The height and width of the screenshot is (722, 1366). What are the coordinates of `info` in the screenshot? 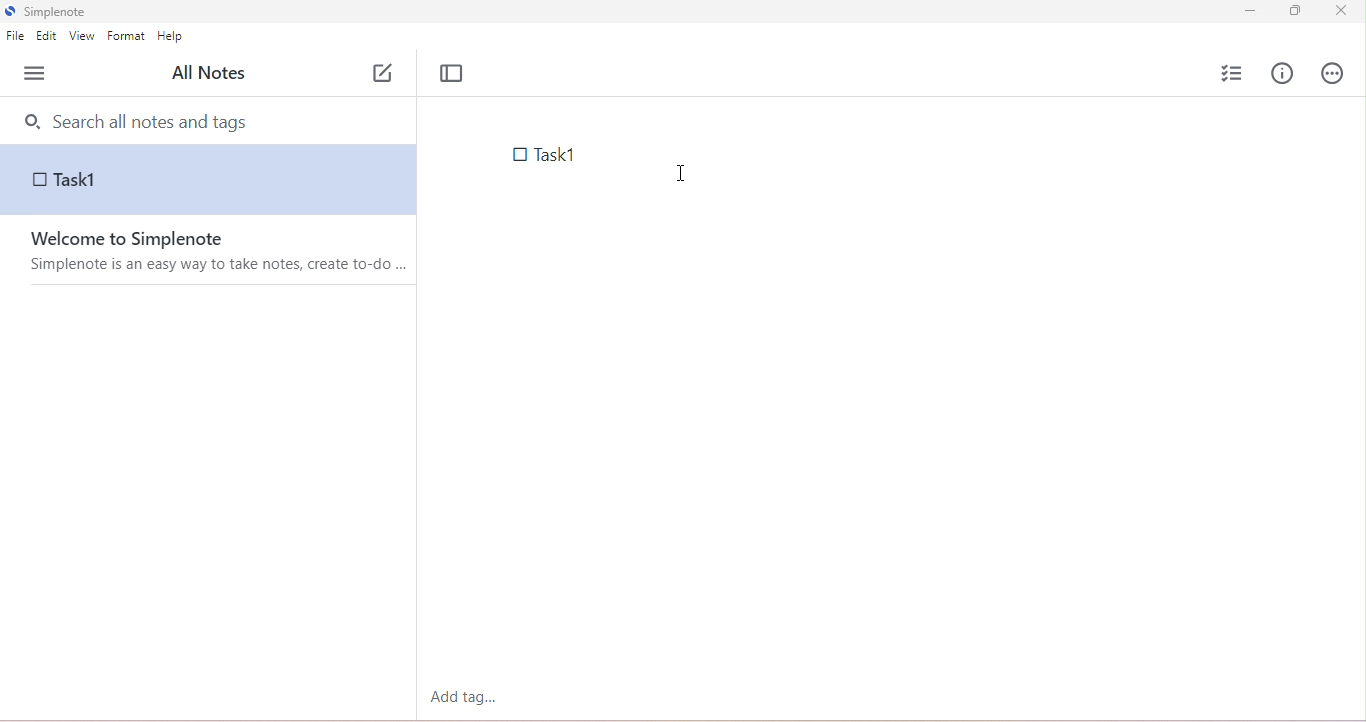 It's located at (1283, 73).